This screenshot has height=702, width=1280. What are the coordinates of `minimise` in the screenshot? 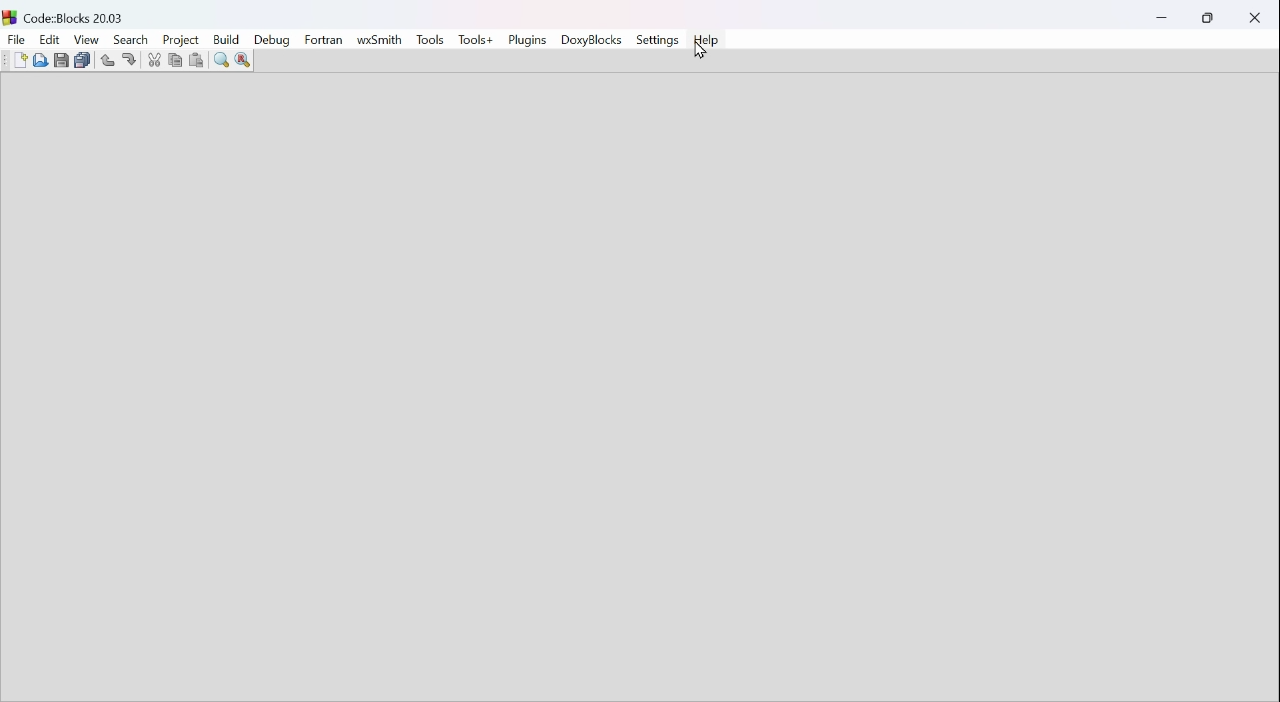 It's located at (1164, 14).